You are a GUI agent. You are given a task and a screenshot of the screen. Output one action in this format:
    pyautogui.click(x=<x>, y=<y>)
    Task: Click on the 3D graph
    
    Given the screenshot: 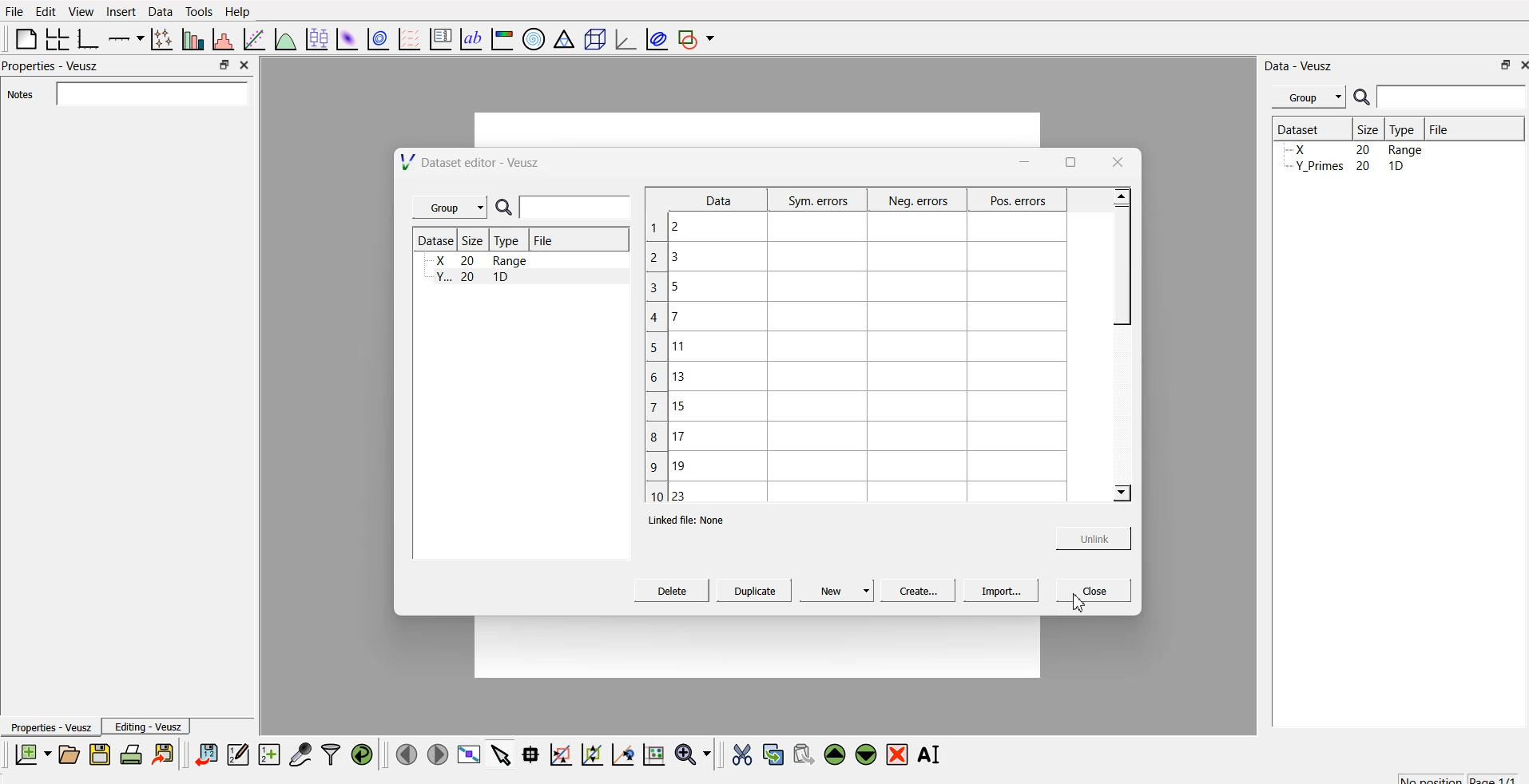 What is the action you would take?
    pyautogui.click(x=624, y=39)
    